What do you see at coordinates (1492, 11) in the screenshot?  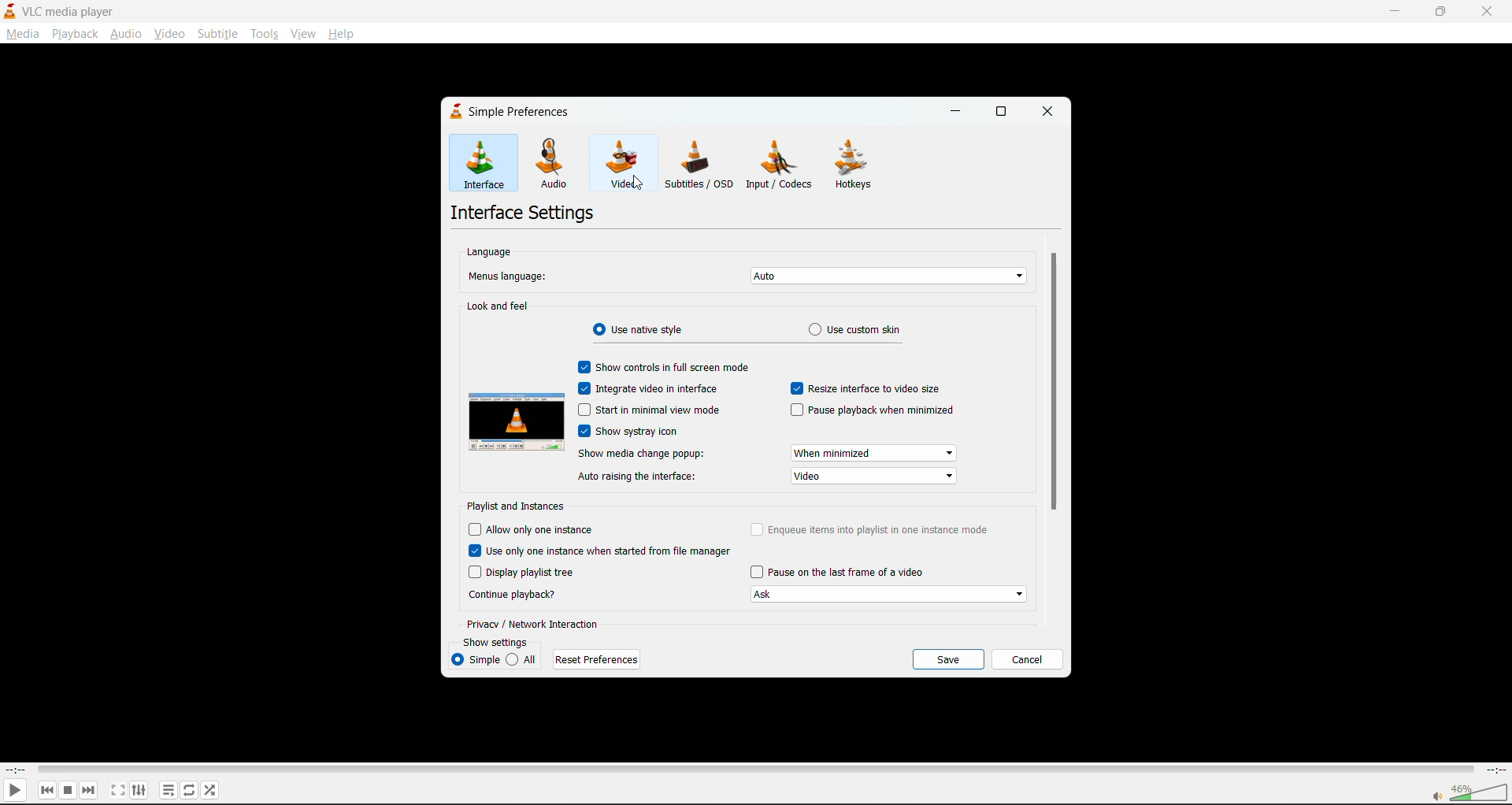 I see `close` at bounding box center [1492, 11].